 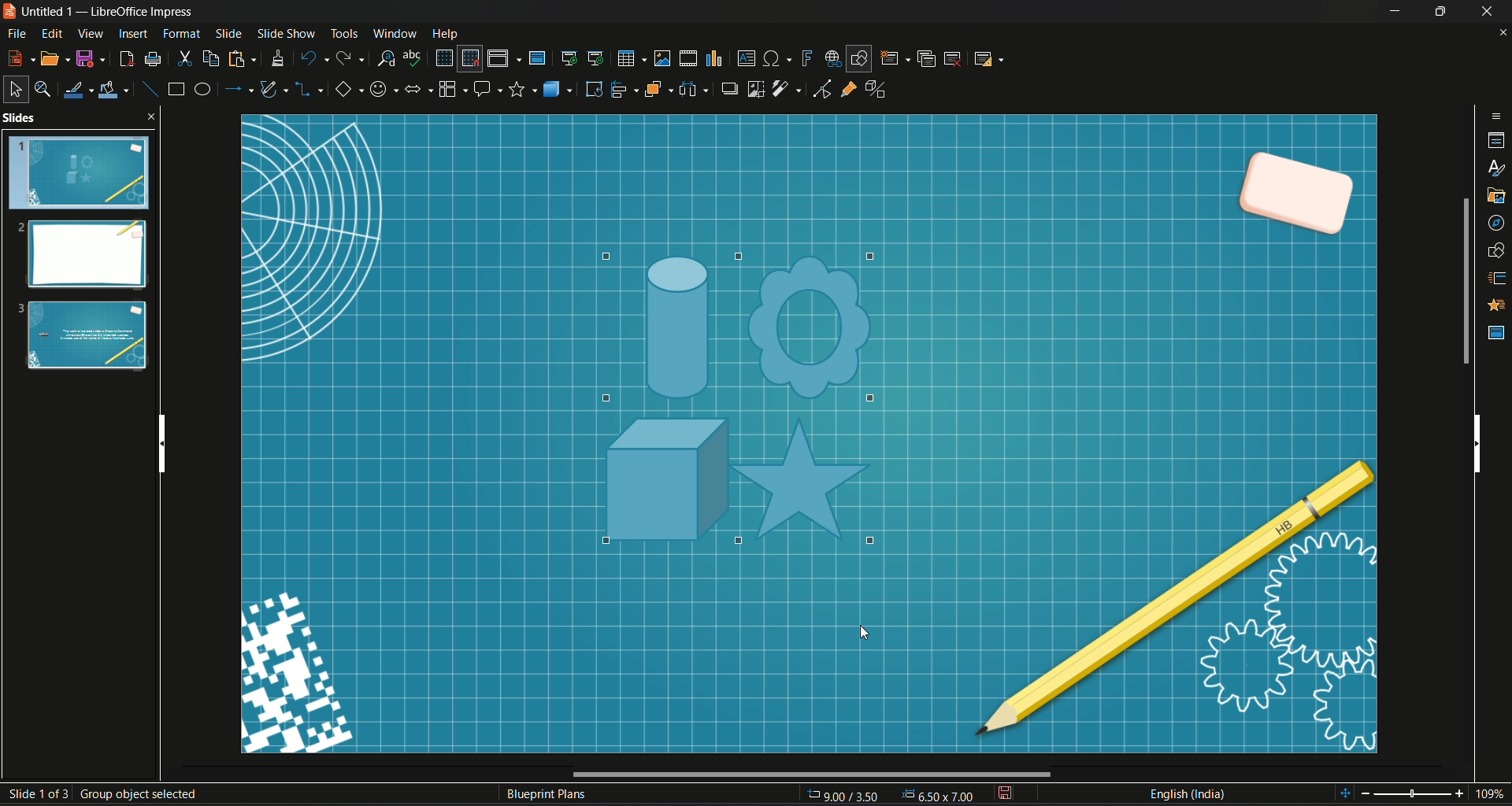 I want to click on duplicate slide, so click(x=927, y=58).